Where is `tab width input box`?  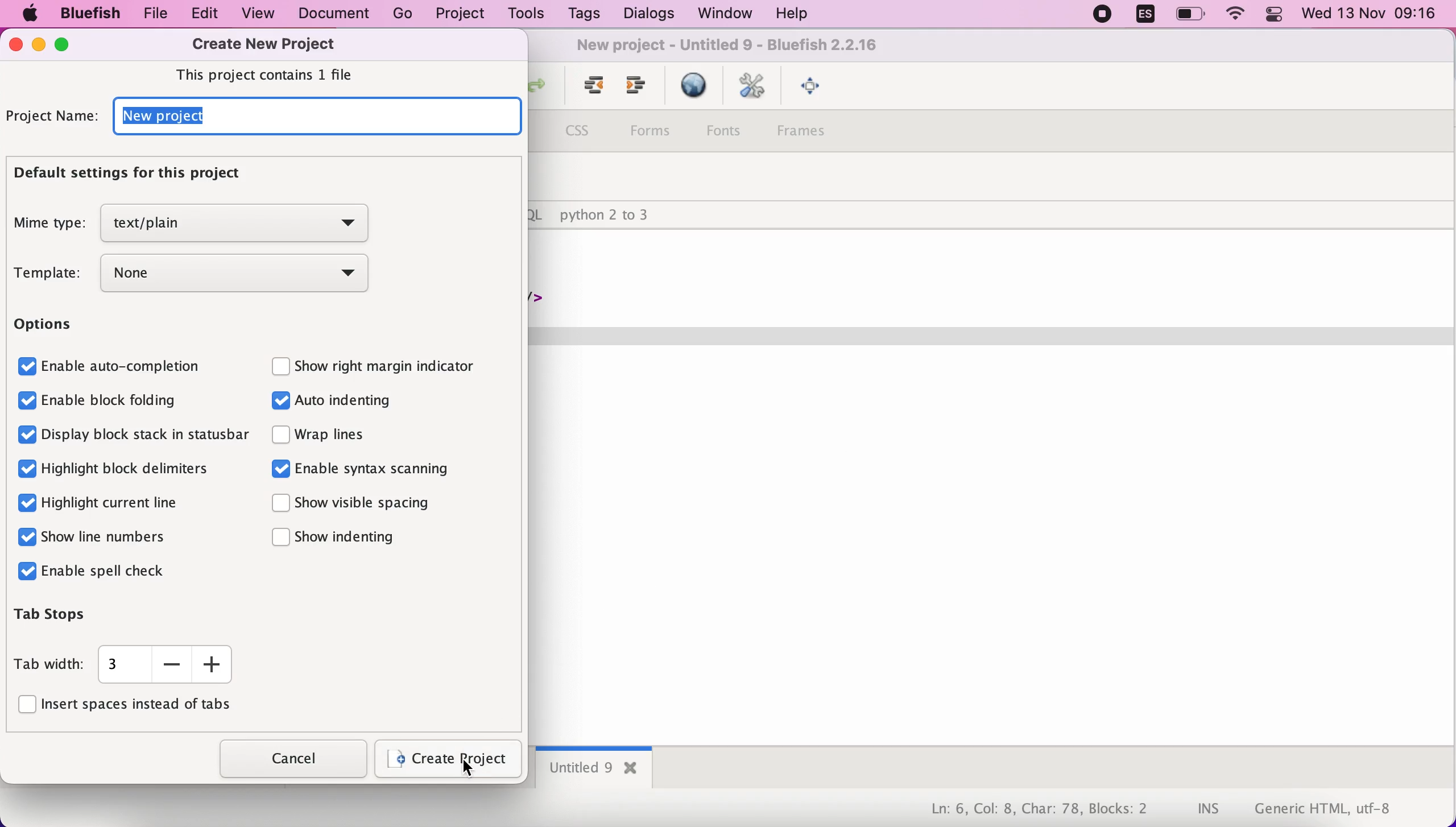 tab width input box is located at coordinates (121, 665).